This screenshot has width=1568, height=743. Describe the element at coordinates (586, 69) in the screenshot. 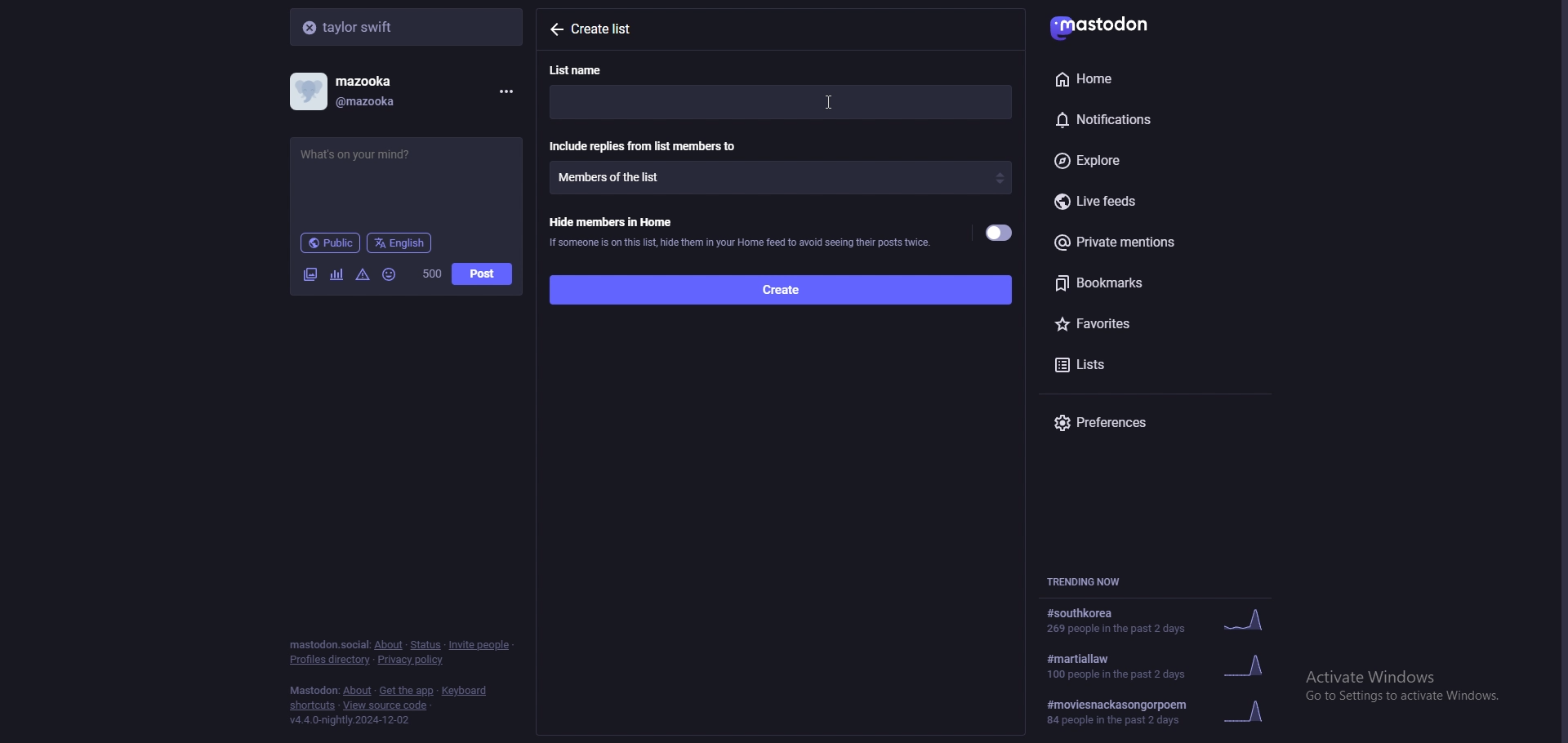

I see `list name` at that location.